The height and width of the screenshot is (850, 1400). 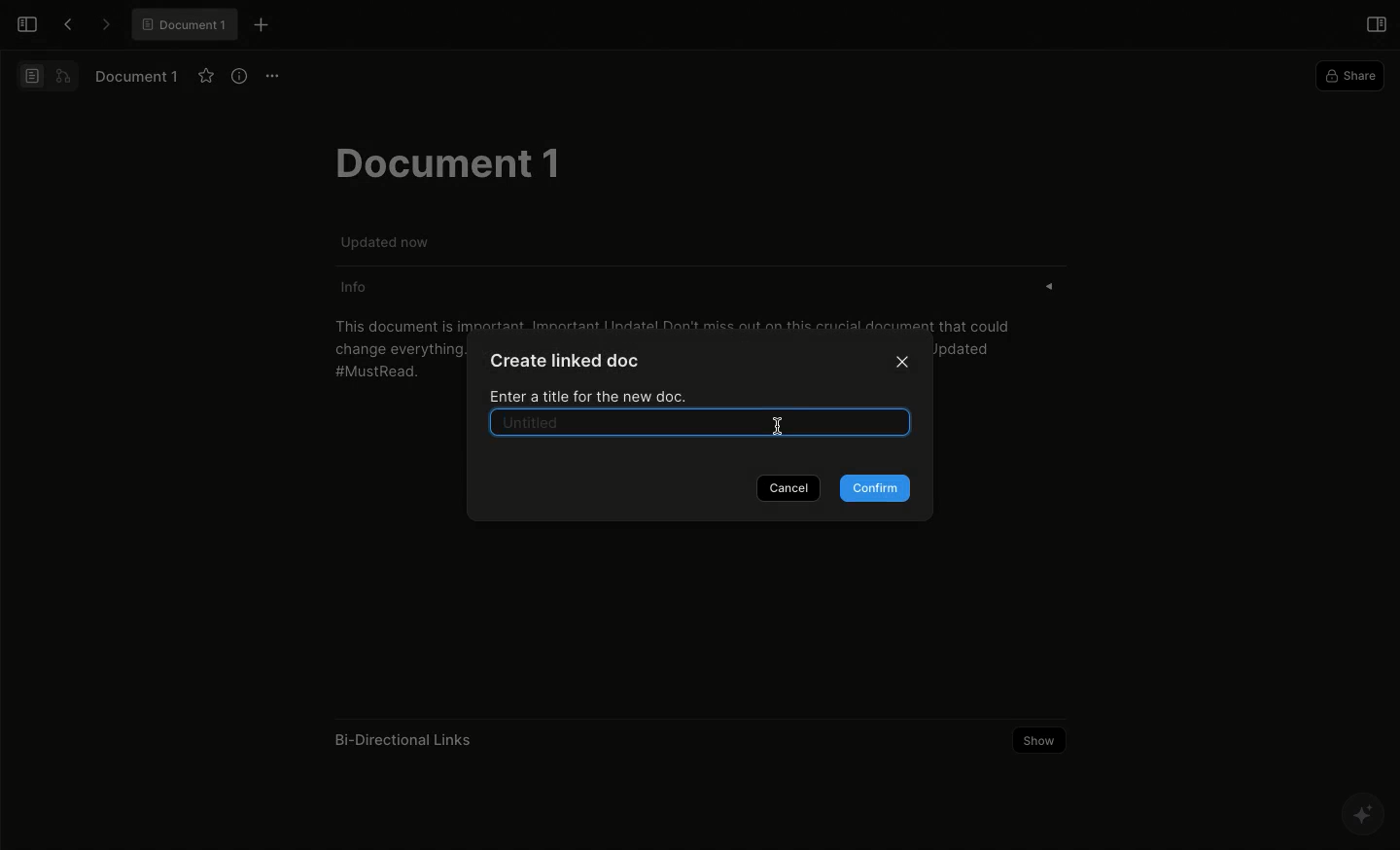 I want to click on Create linked doc, so click(x=568, y=361).